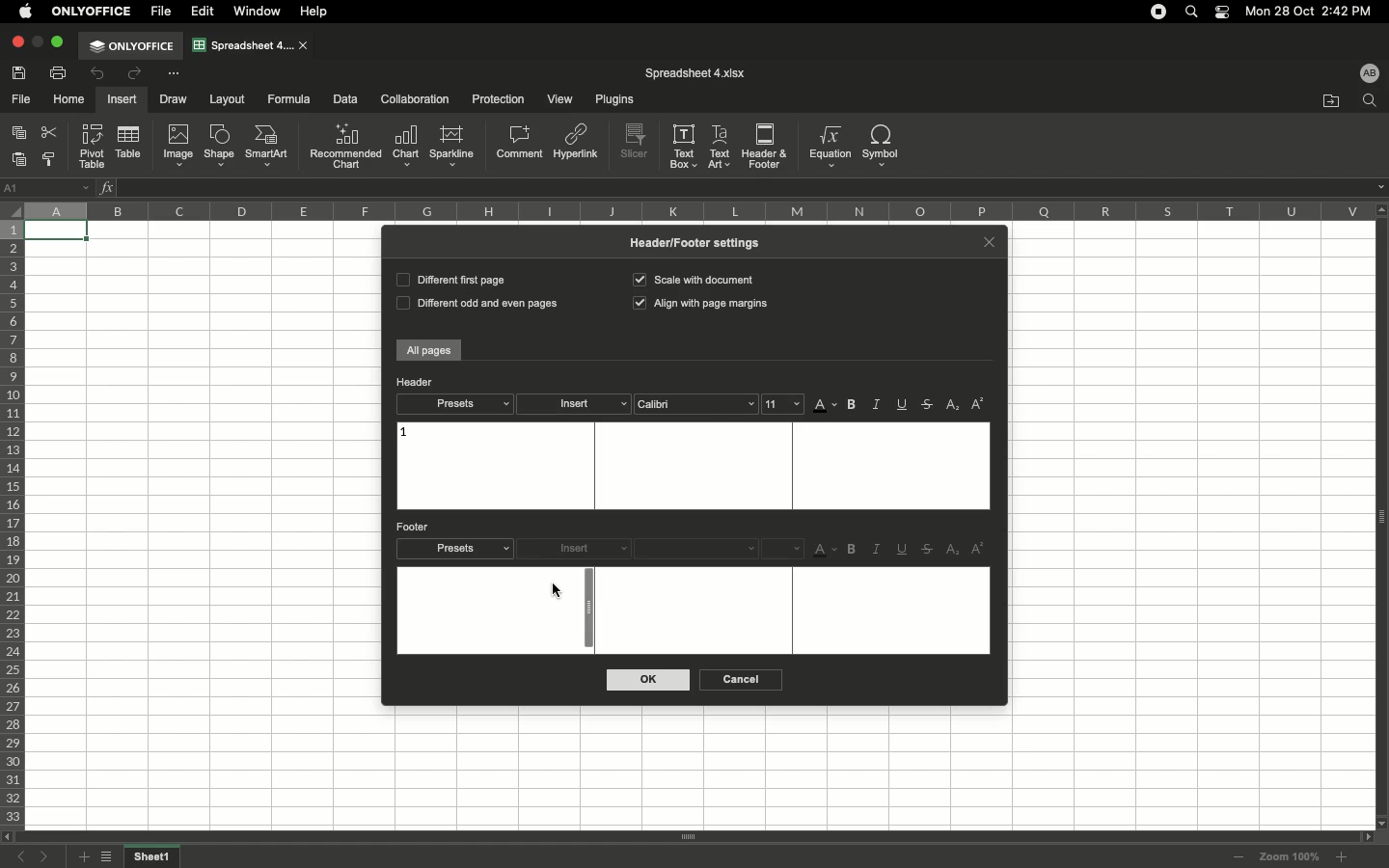  Describe the element at coordinates (456, 549) in the screenshot. I see `Presets` at that location.